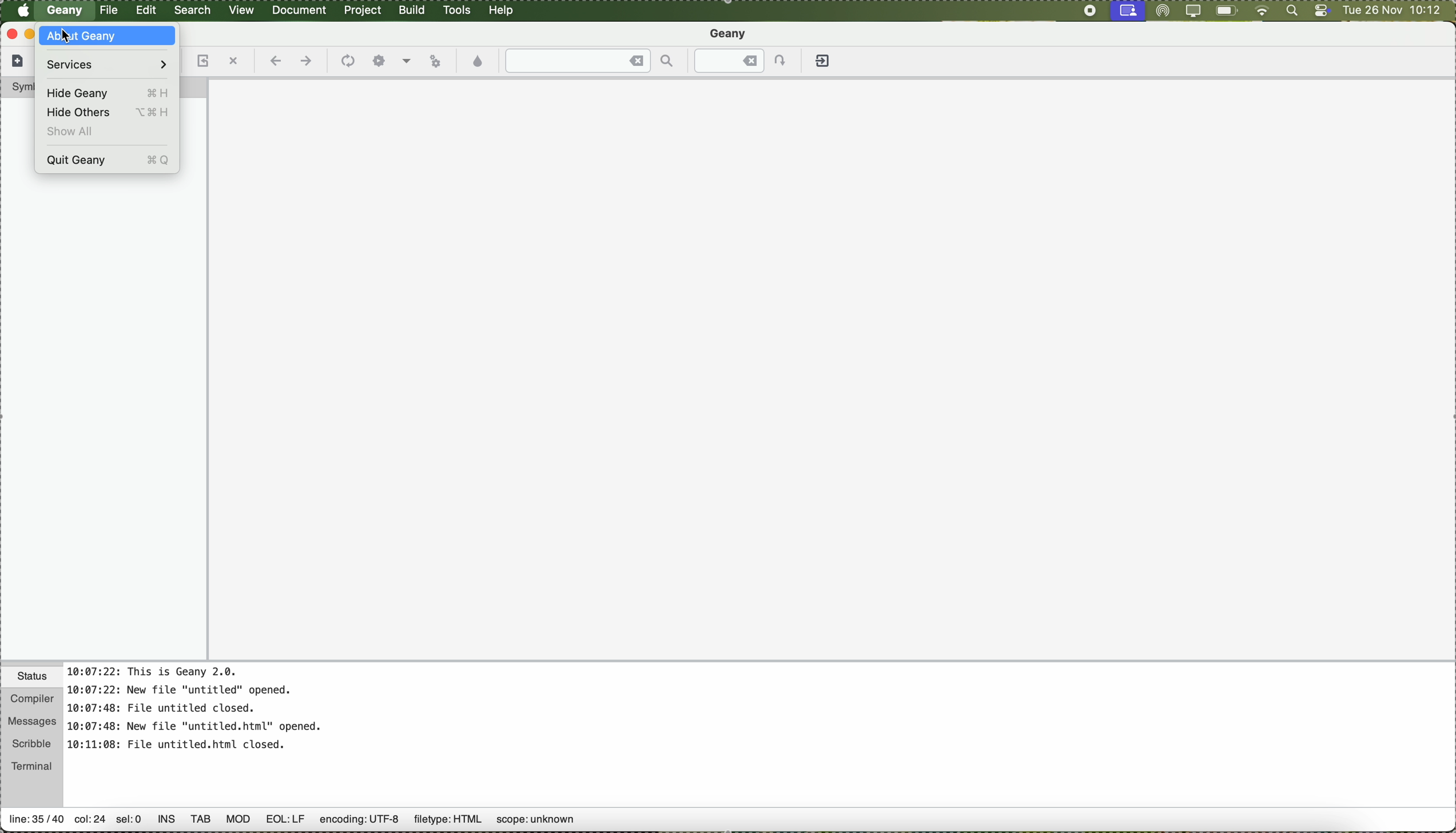 This screenshot has height=833, width=1456. What do you see at coordinates (824, 63) in the screenshot?
I see `quit Geany` at bounding box center [824, 63].